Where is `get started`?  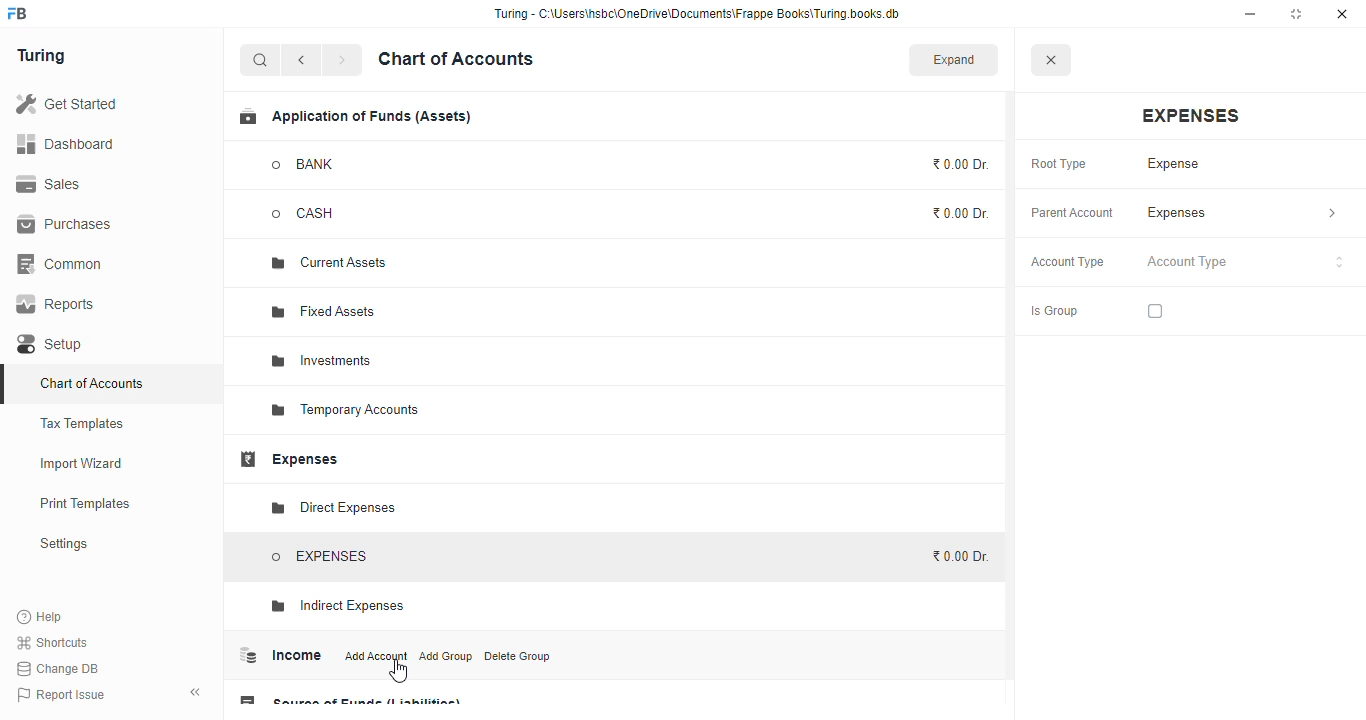 get started is located at coordinates (66, 103).